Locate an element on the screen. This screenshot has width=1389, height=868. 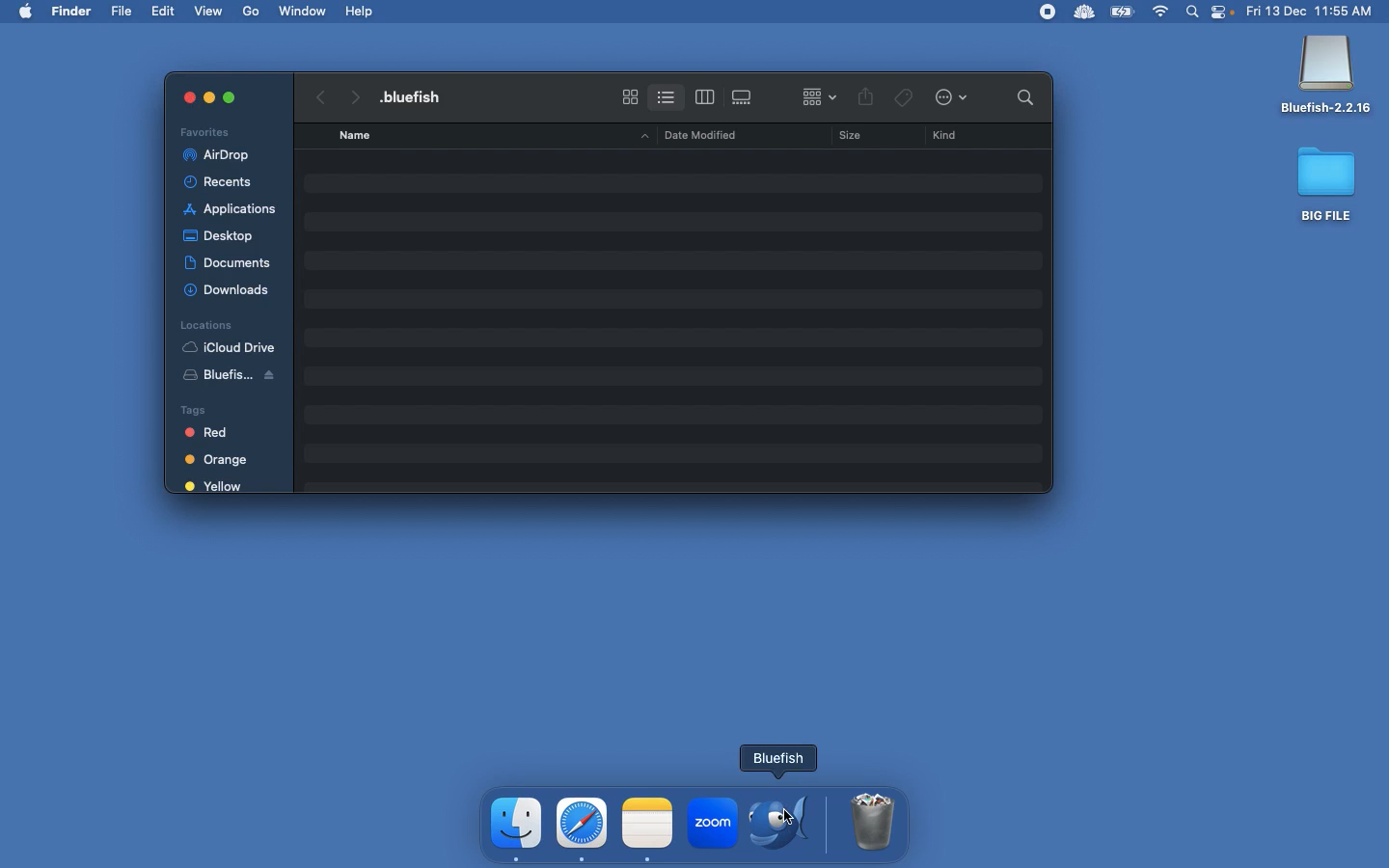
Bluefish is located at coordinates (237, 378).